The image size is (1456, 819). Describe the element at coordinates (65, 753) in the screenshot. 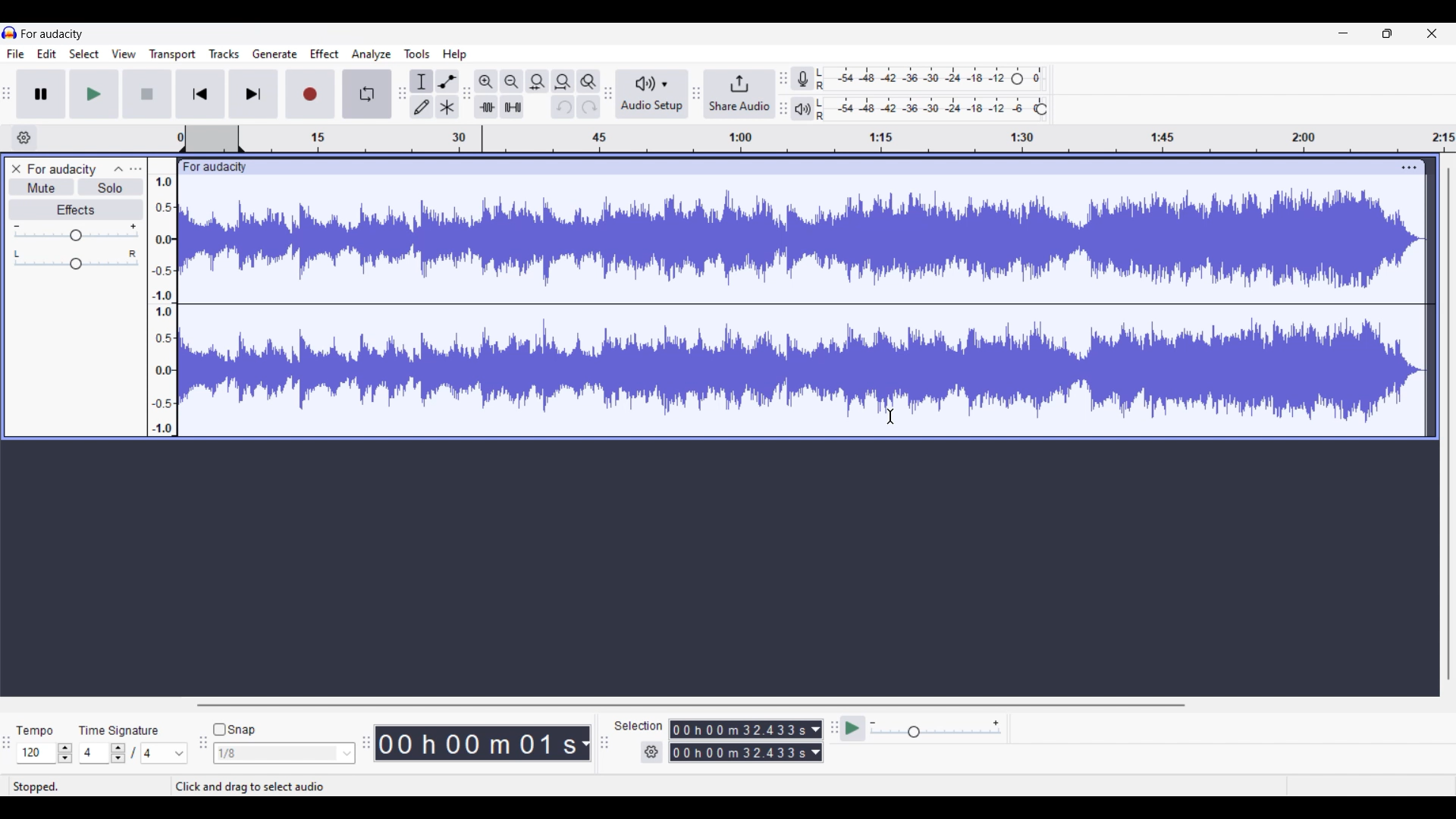

I see `Increase/Decrease Tempo` at that location.